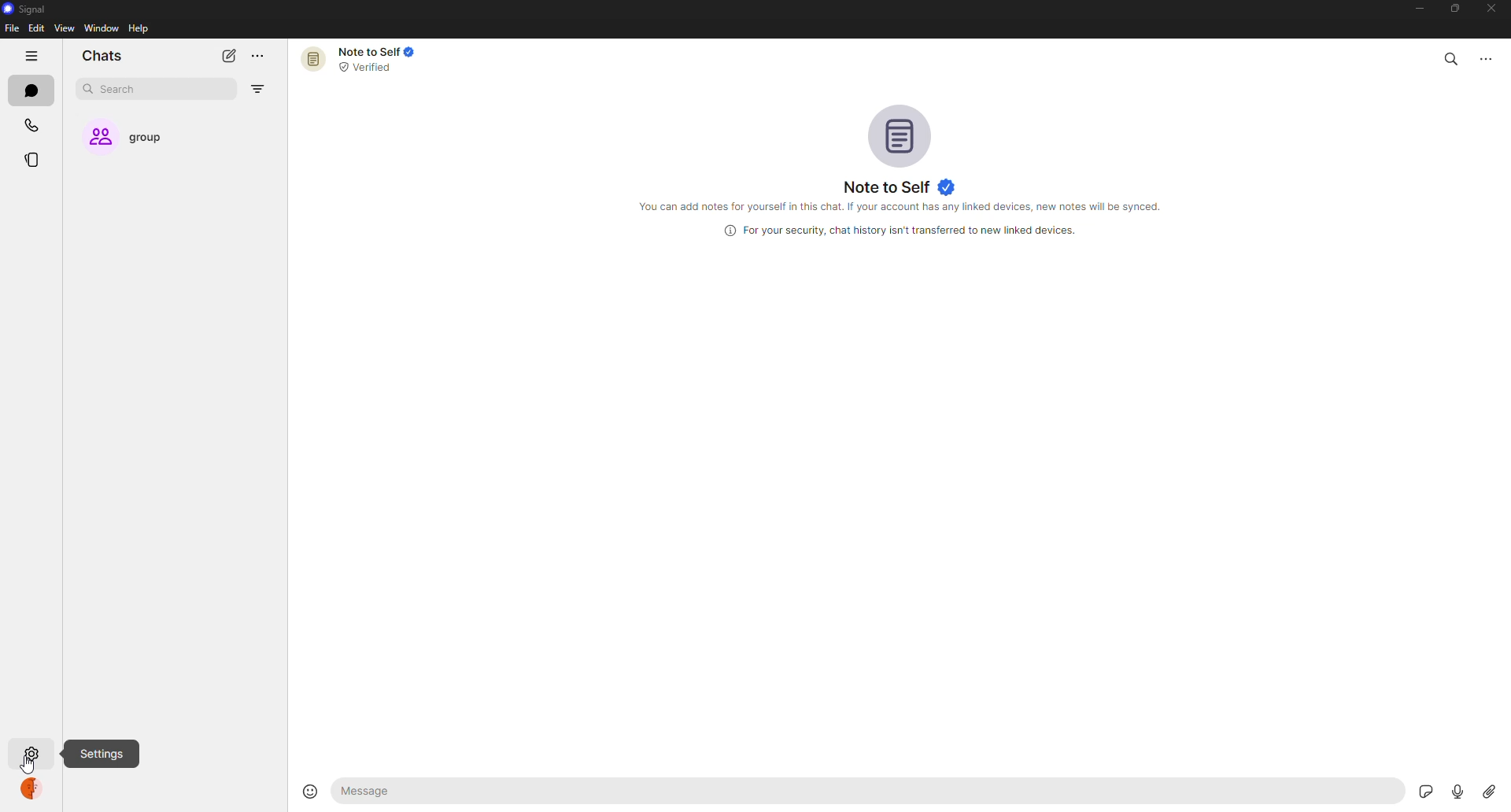  I want to click on minimize, so click(1412, 10).